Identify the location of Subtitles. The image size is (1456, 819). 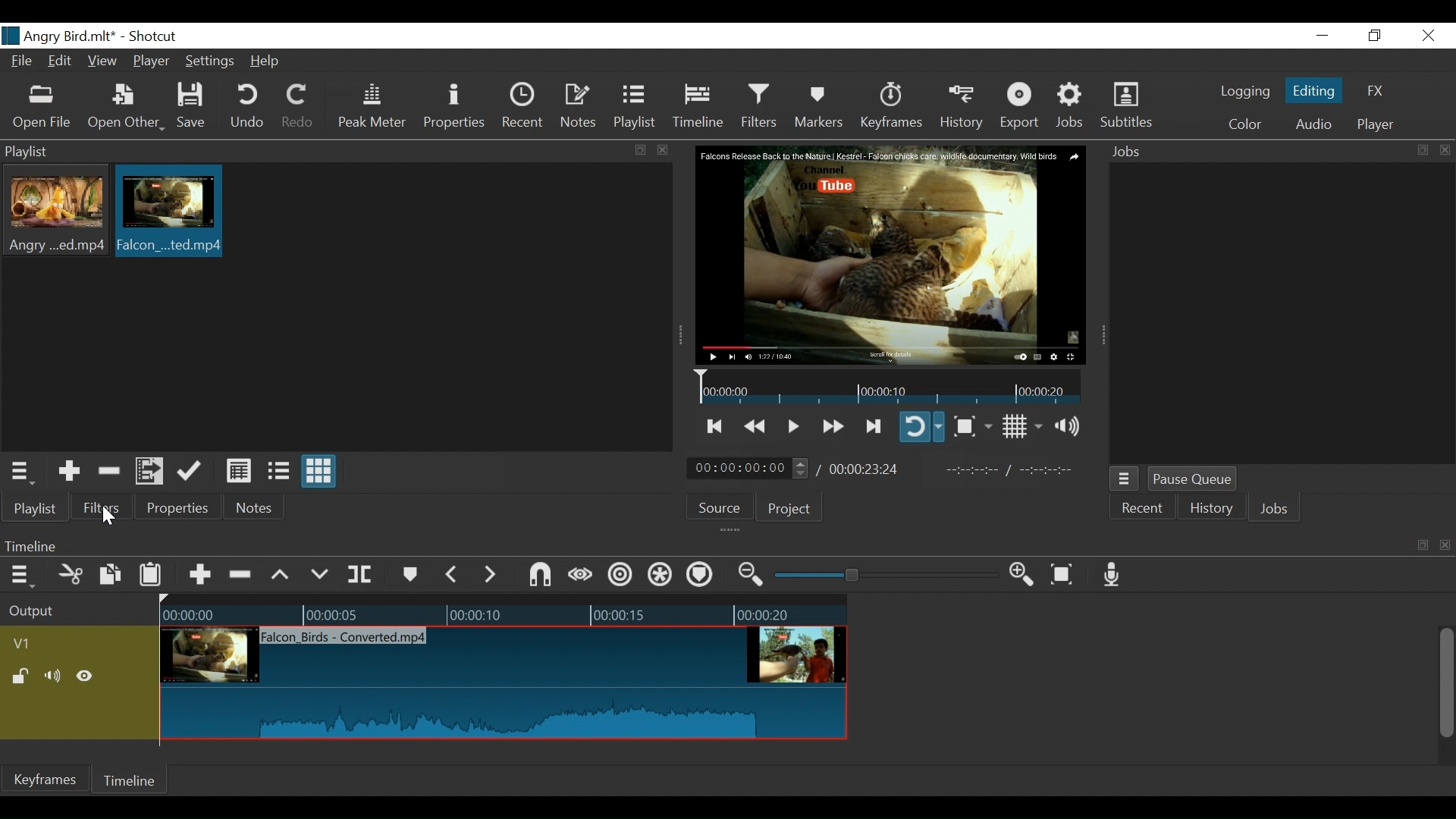
(1126, 105).